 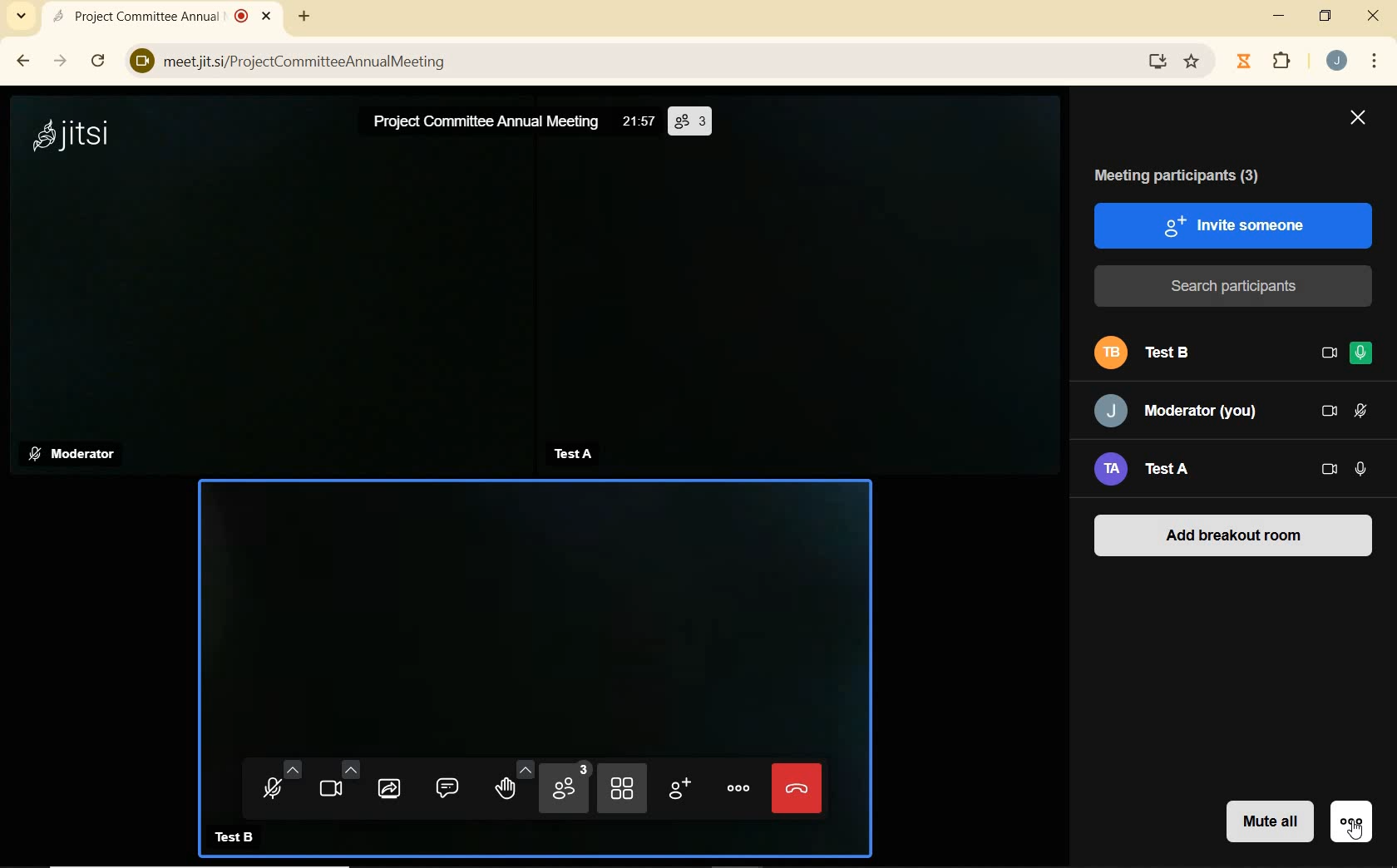 What do you see at coordinates (621, 787) in the screenshot?
I see `Toogle tile view` at bounding box center [621, 787].